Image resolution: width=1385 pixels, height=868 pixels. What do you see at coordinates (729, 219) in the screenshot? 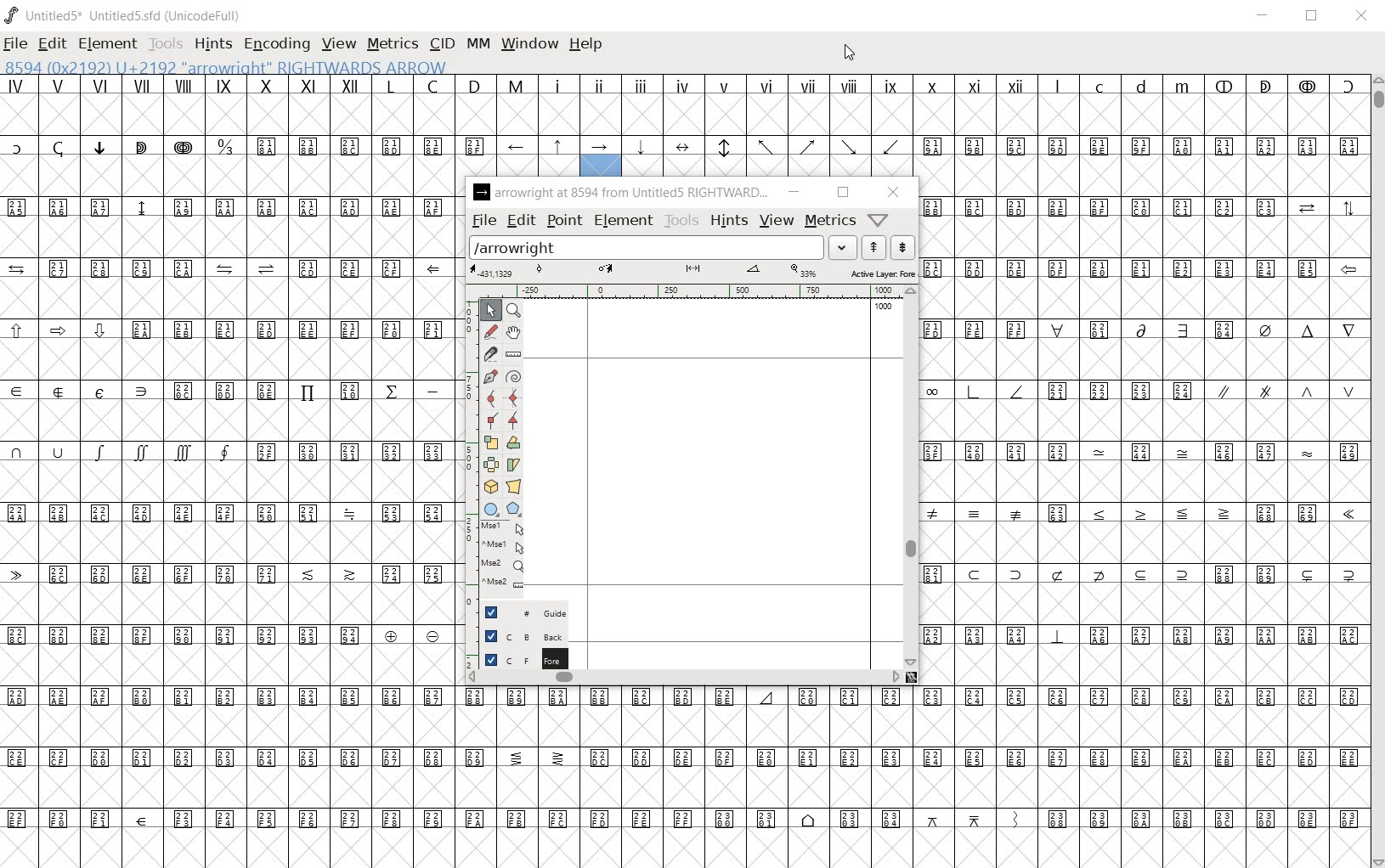
I see `hints` at bounding box center [729, 219].